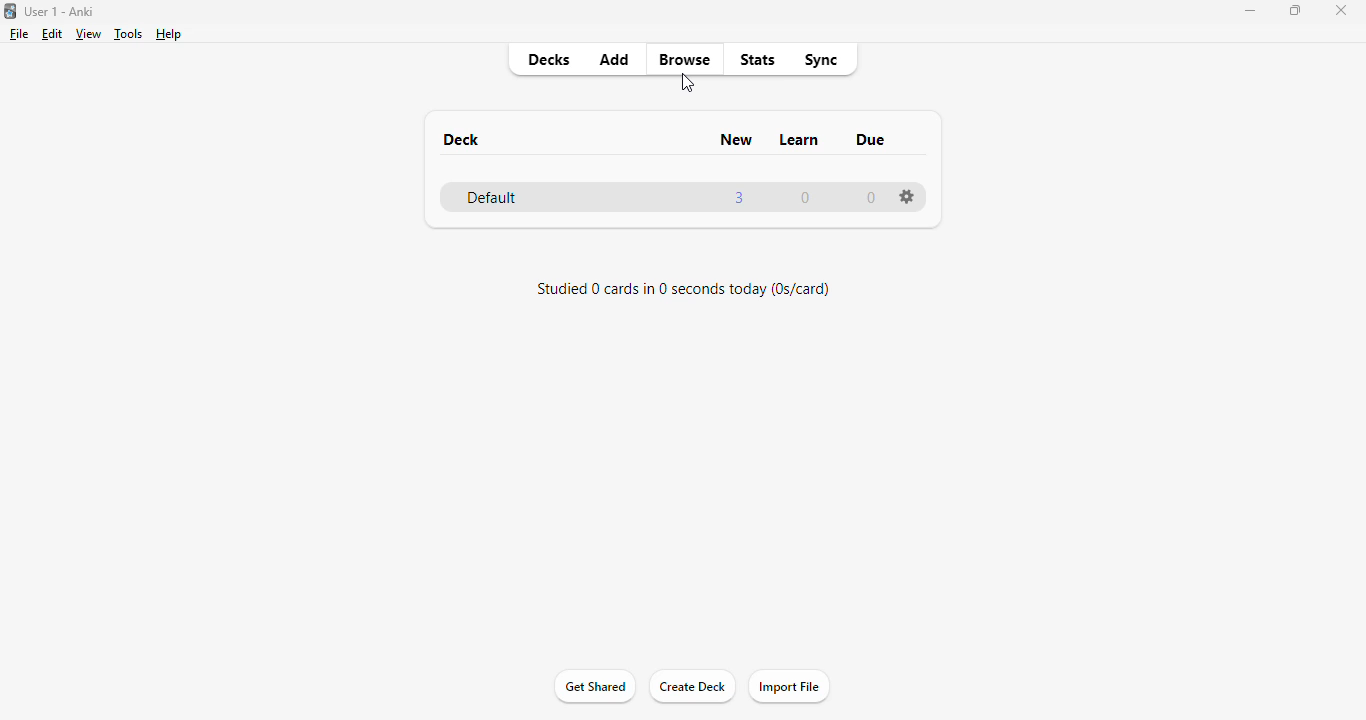  Describe the element at coordinates (61, 12) in the screenshot. I see `User 1- Anki` at that location.